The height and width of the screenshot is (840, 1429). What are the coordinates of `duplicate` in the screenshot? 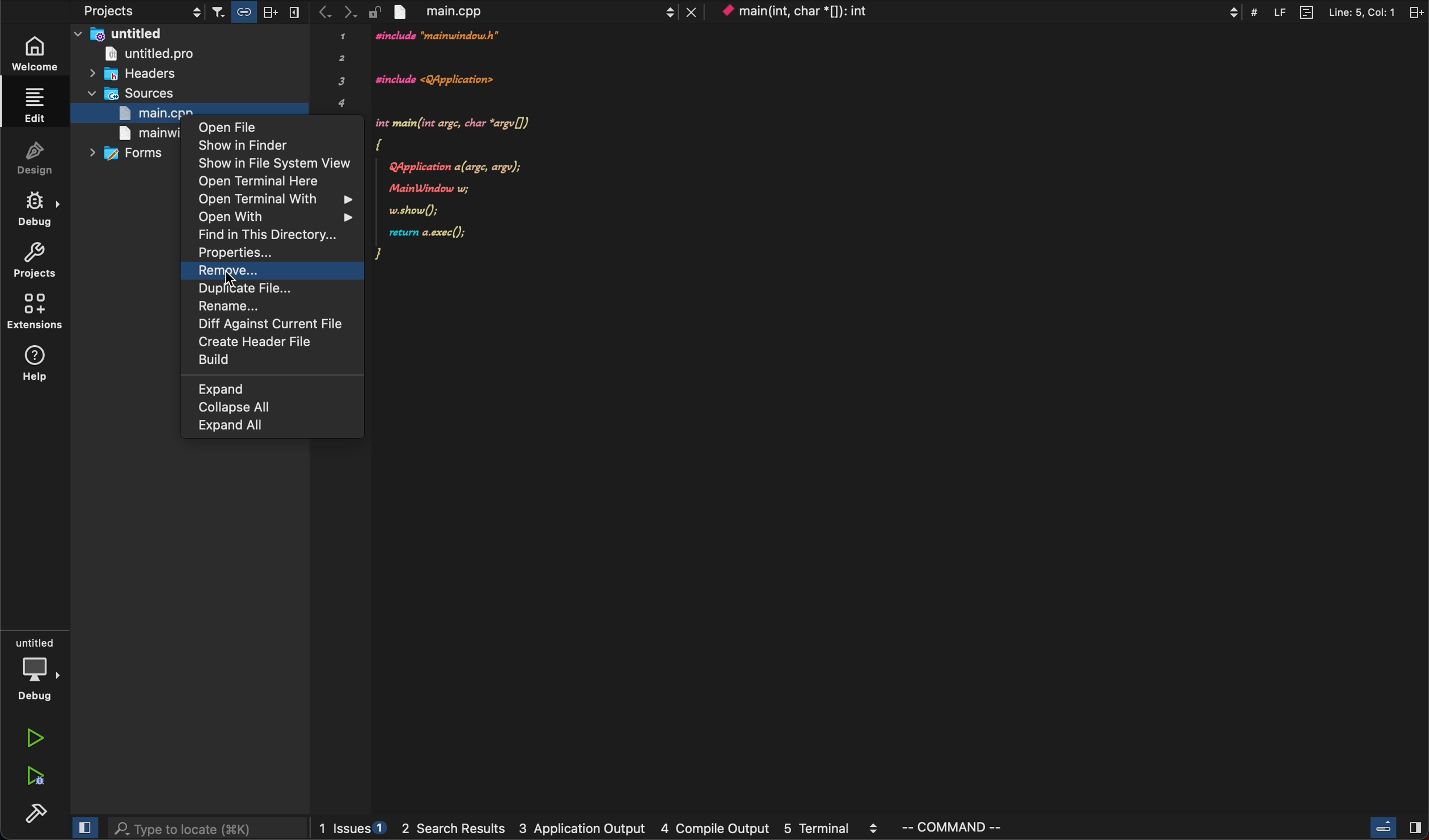 It's located at (251, 289).